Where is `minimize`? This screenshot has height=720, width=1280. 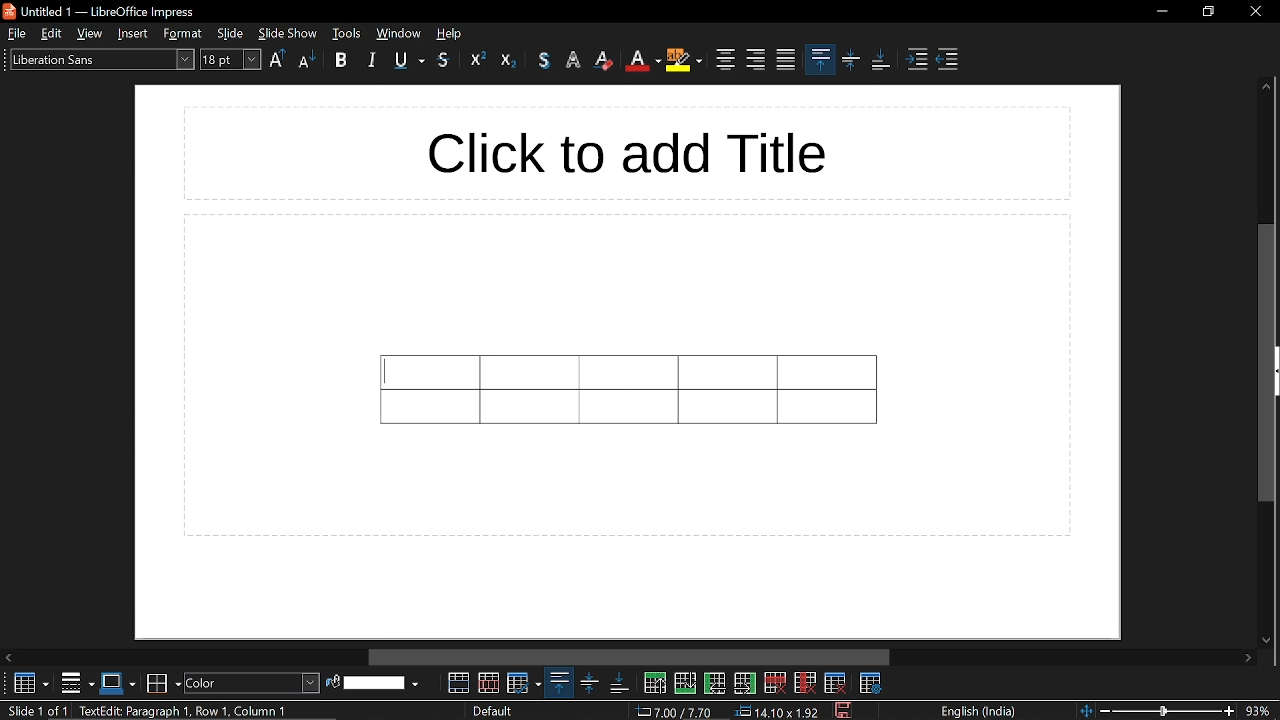
minimize is located at coordinates (1162, 12).